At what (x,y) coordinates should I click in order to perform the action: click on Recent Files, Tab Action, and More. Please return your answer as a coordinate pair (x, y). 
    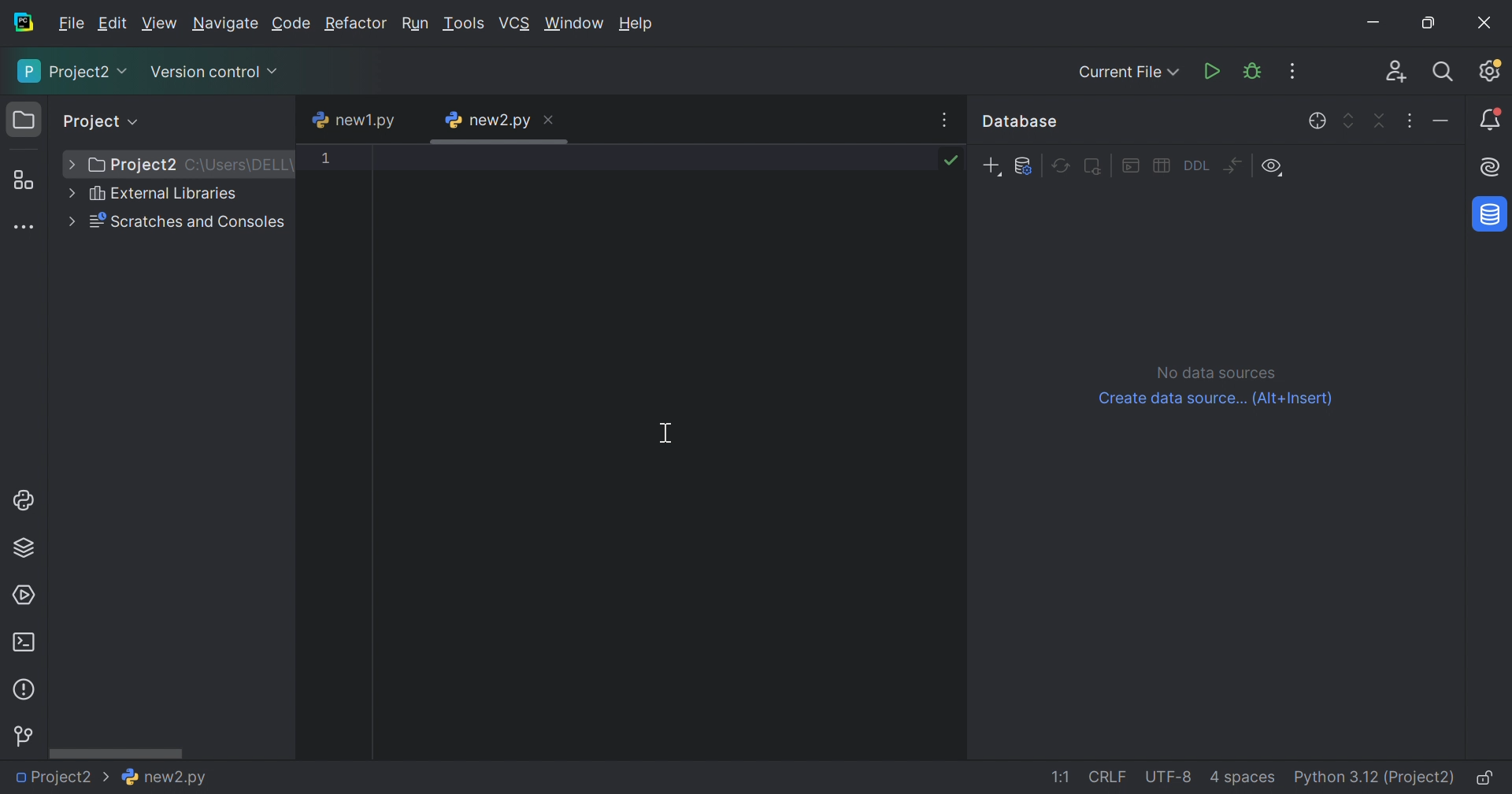
    Looking at the image, I should click on (943, 117).